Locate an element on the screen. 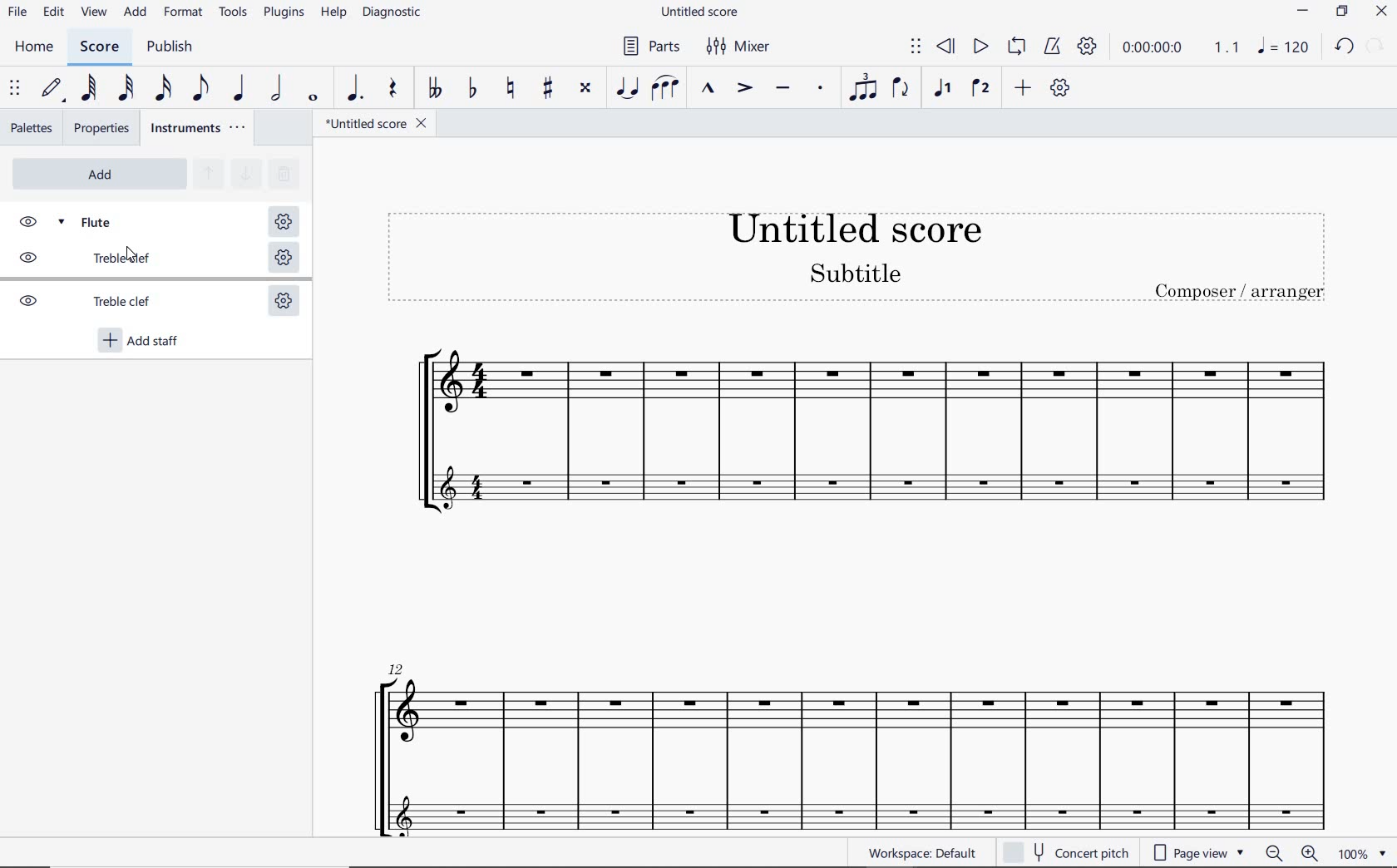 The height and width of the screenshot is (868, 1397). ADD is located at coordinates (97, 174).